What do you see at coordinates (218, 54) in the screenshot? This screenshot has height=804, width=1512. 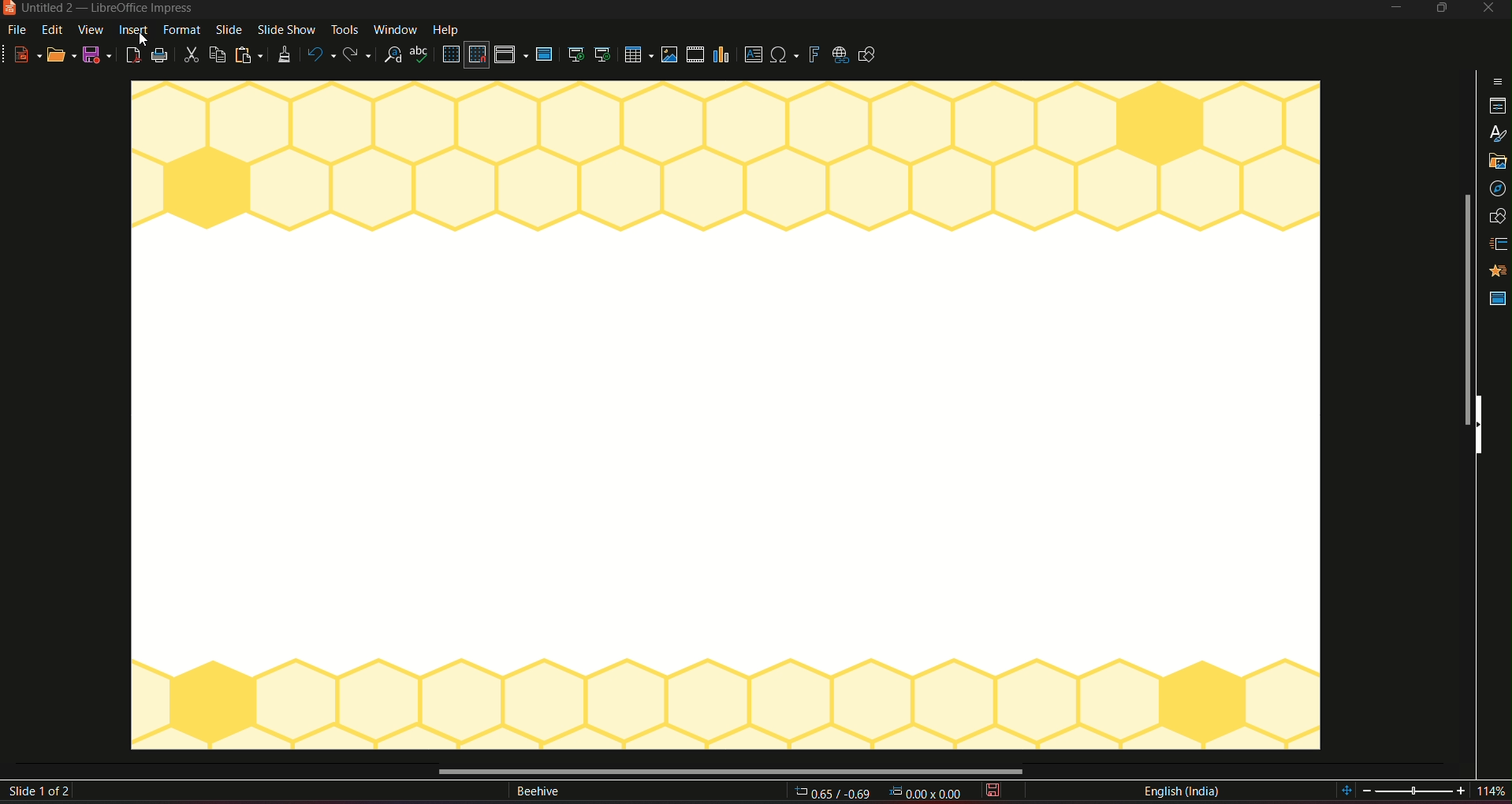 I see `copy` at bounding box center [218, 54].